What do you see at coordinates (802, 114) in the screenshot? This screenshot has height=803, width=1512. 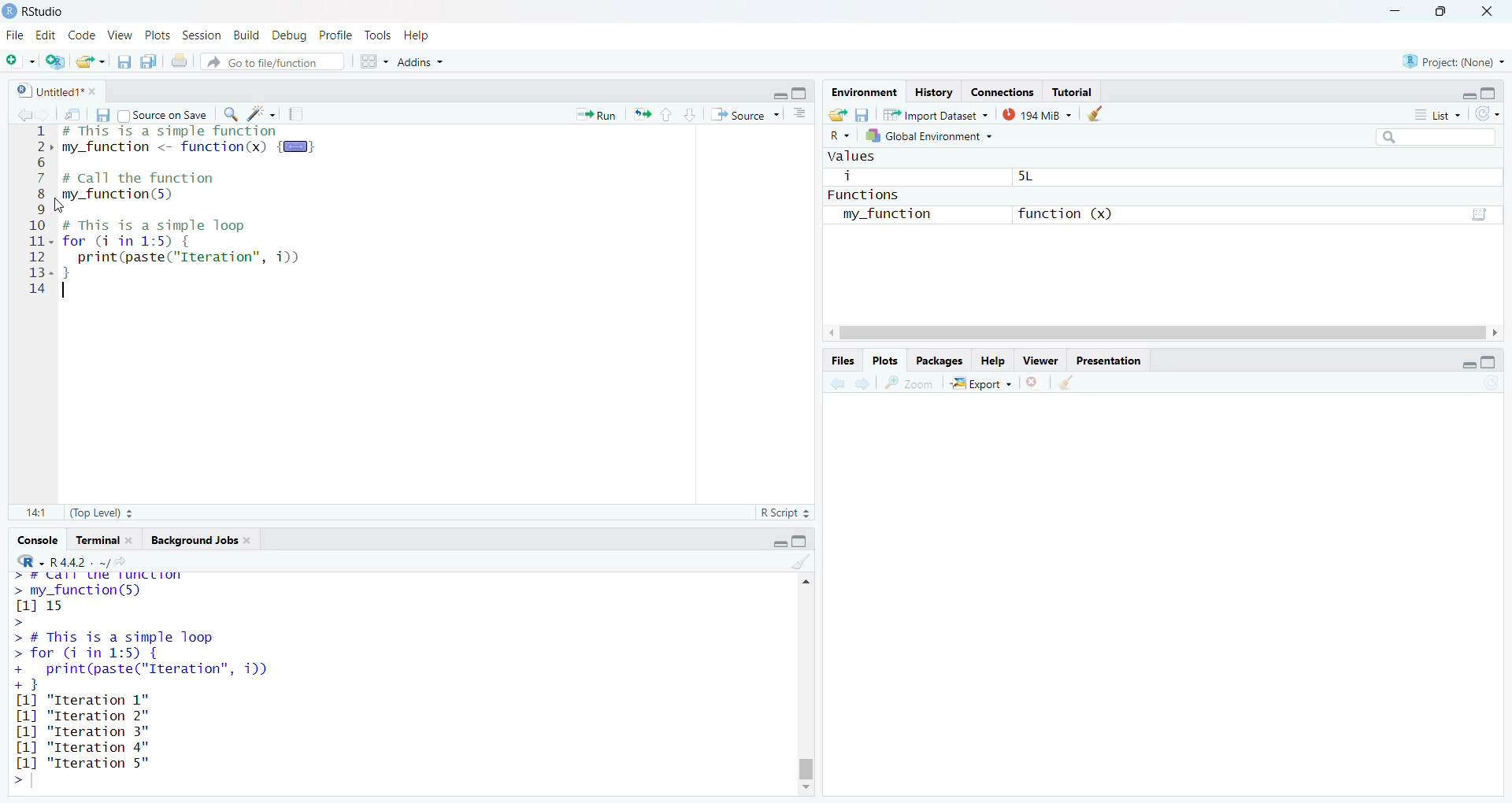 I see `show document outline` at bounding box center [802, 114].